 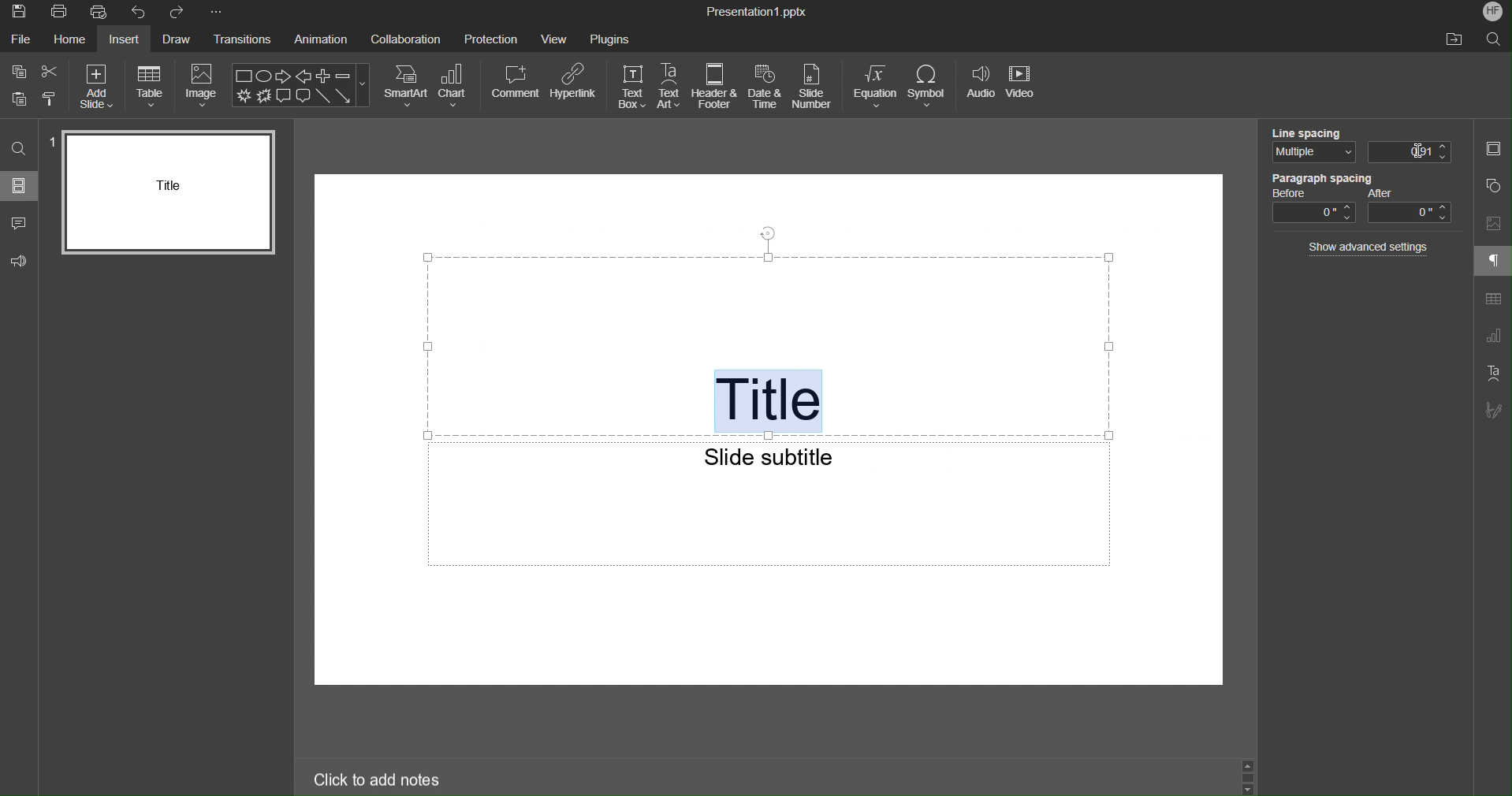 I want to click on View, so click(x=554, y=41).